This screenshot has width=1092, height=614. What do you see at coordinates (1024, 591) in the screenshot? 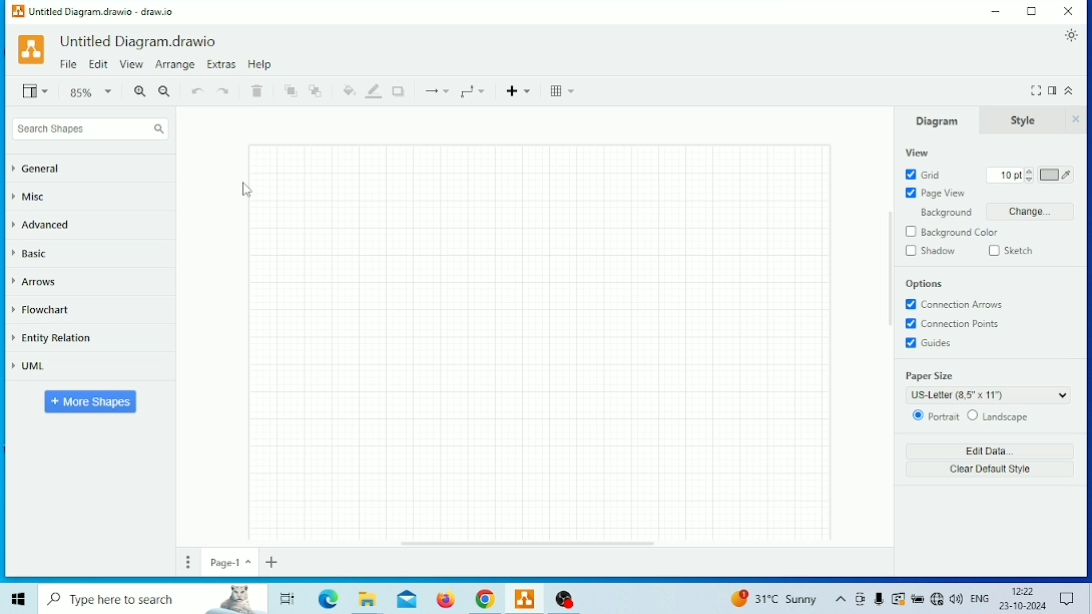
I see `Time - 12:22` at bounding box center [1024, 591].